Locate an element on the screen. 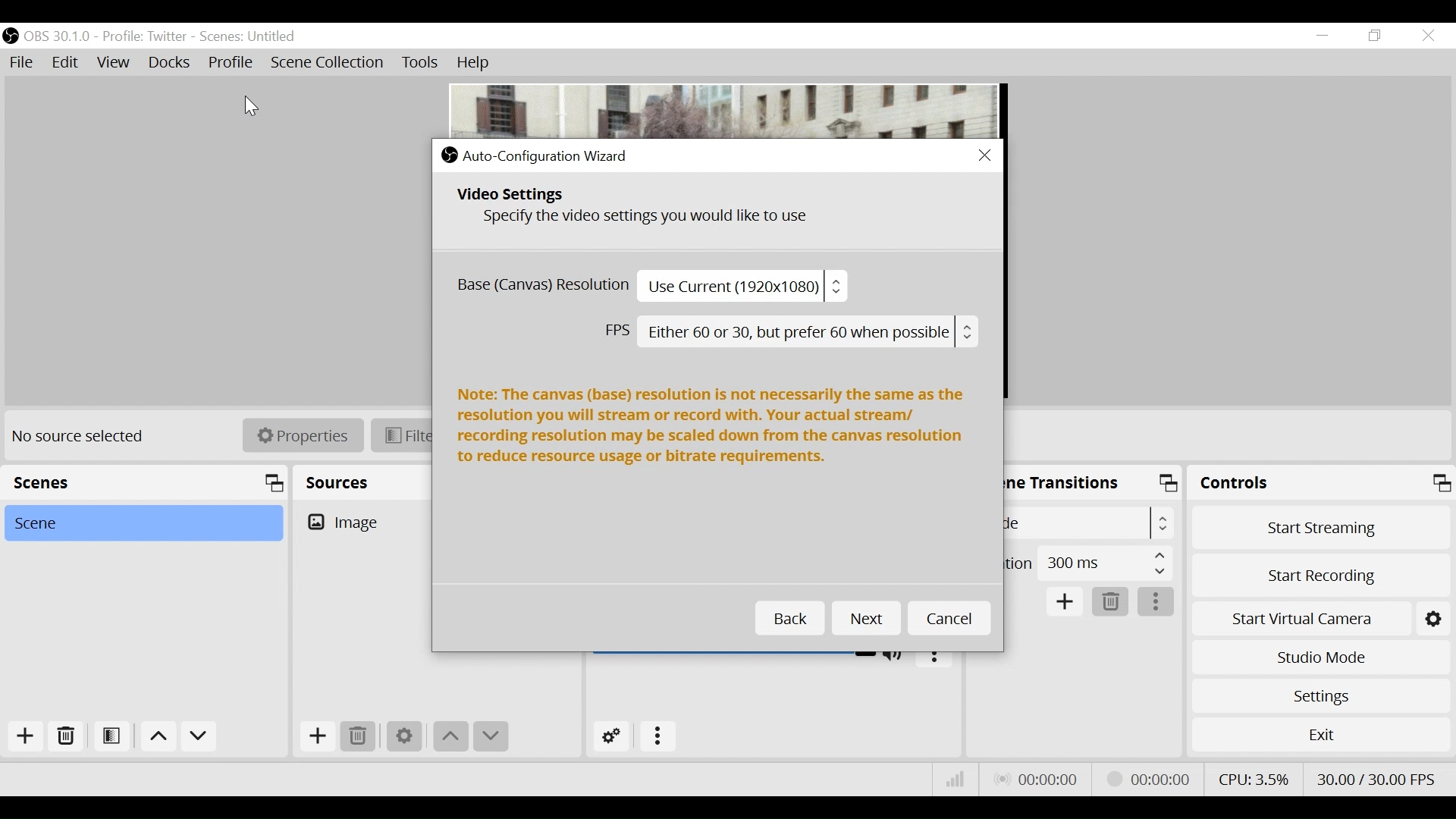 Image resolution: width=1456 pixels, height=819 pixels. Tools is located at coordinates (420, 64).